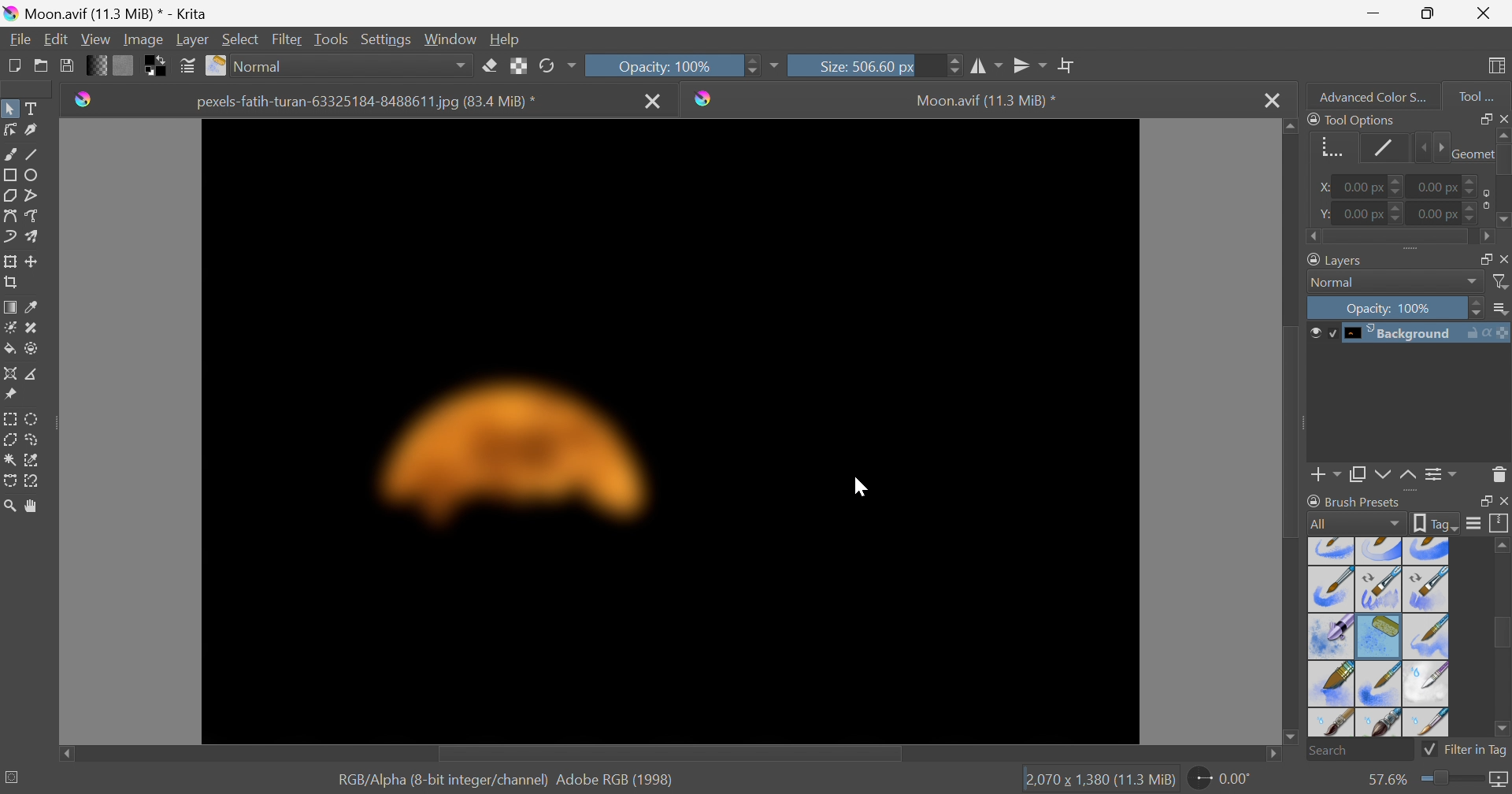  I want to click on Delete the layer or mask, so click(1499, 477).